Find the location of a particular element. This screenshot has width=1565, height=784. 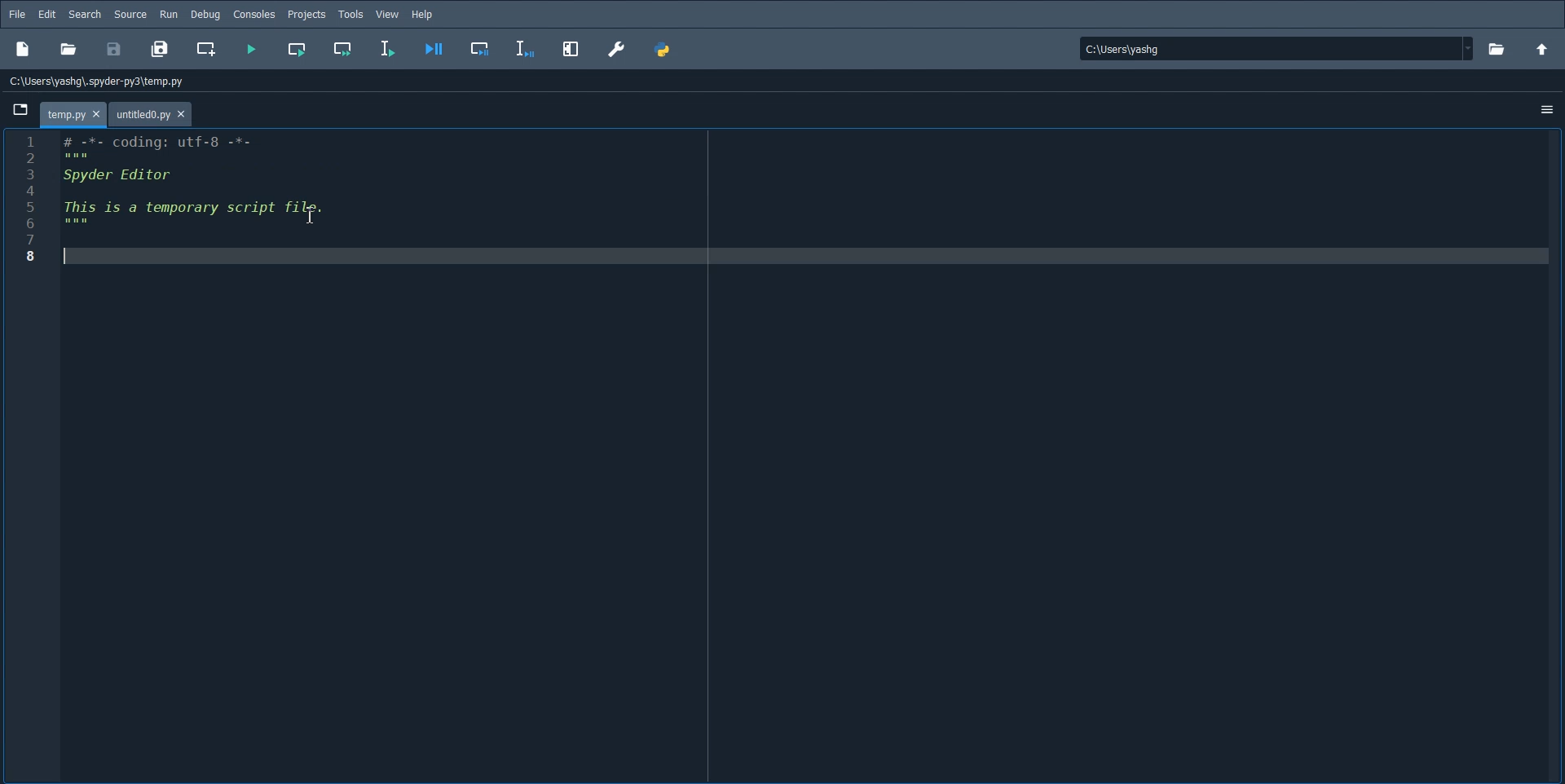

Preferences is located at coordinates (618, 50).